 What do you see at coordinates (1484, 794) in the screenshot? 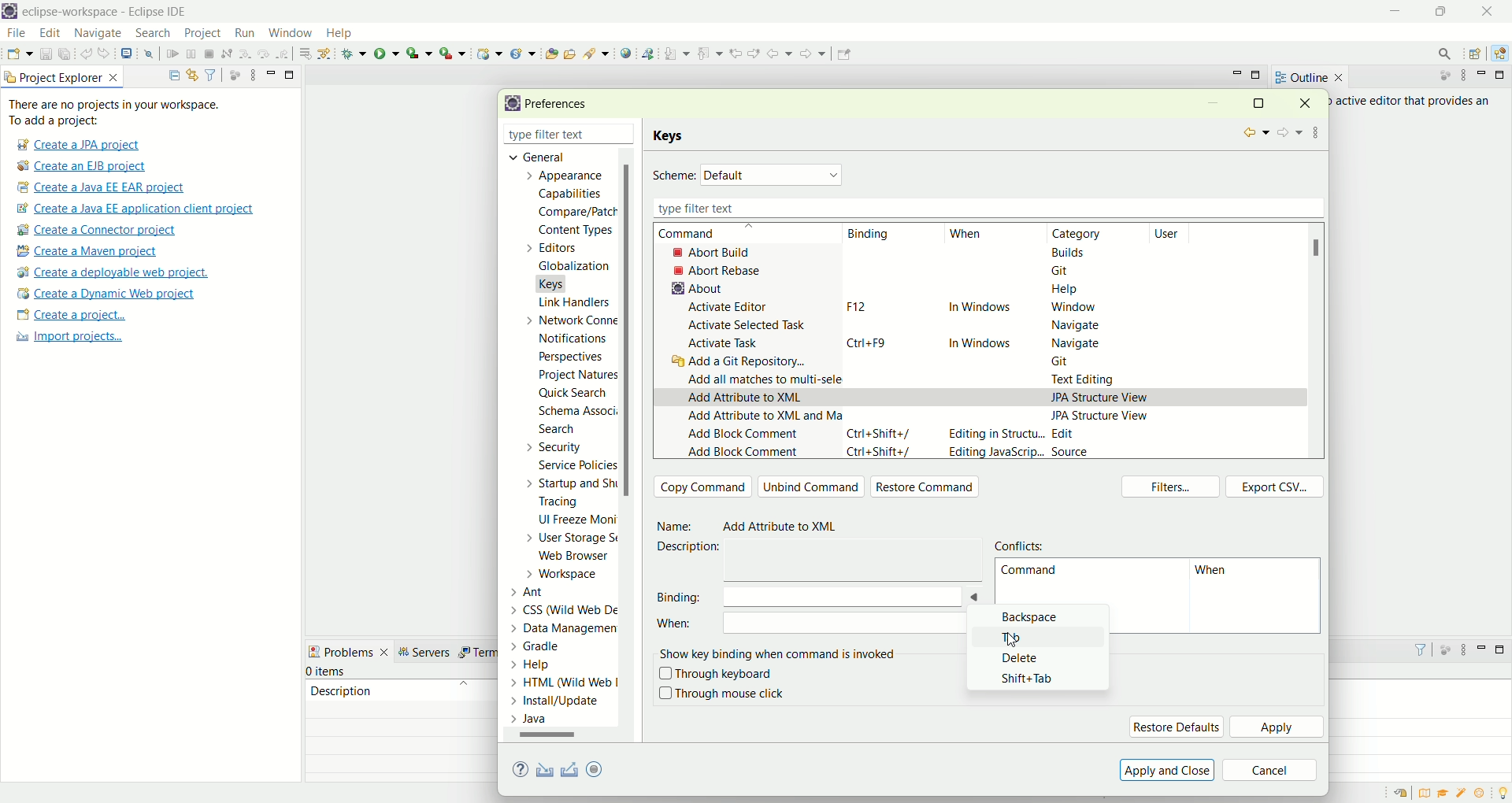
I see `what's new` at bounding box center [1484, 794].